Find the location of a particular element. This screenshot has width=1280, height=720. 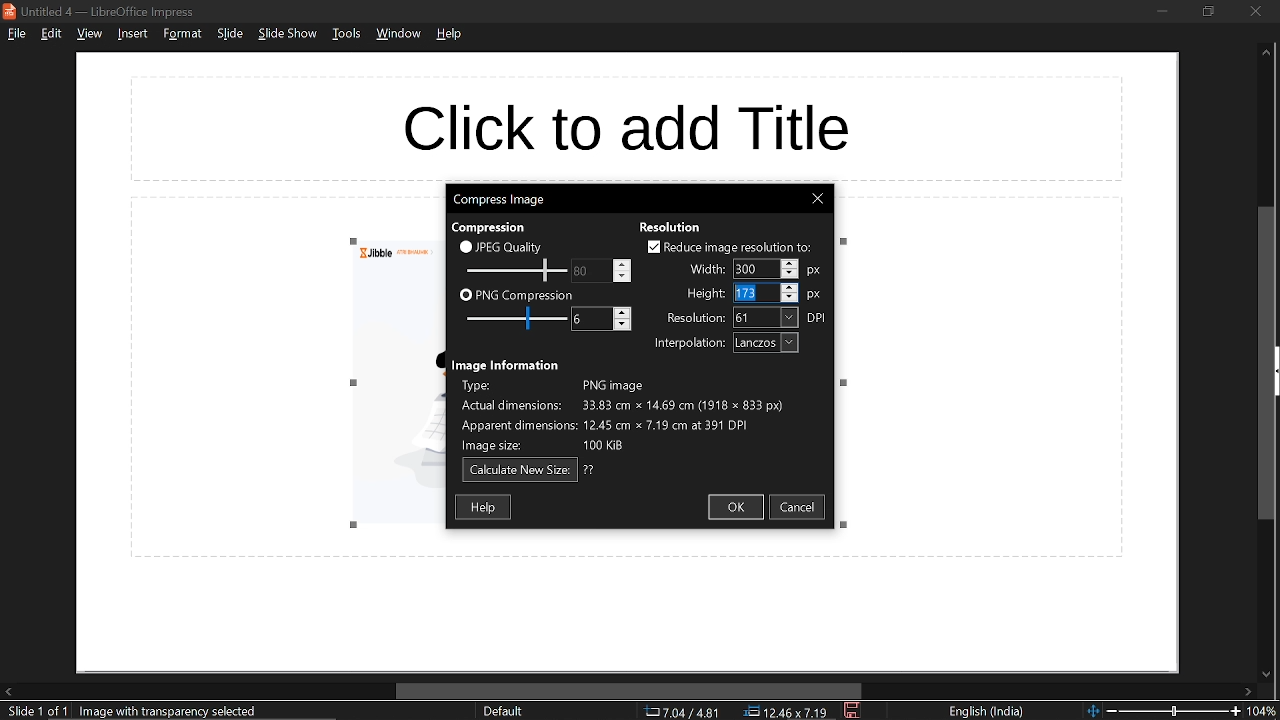

Decrease  is located at coordinates (623, 326).